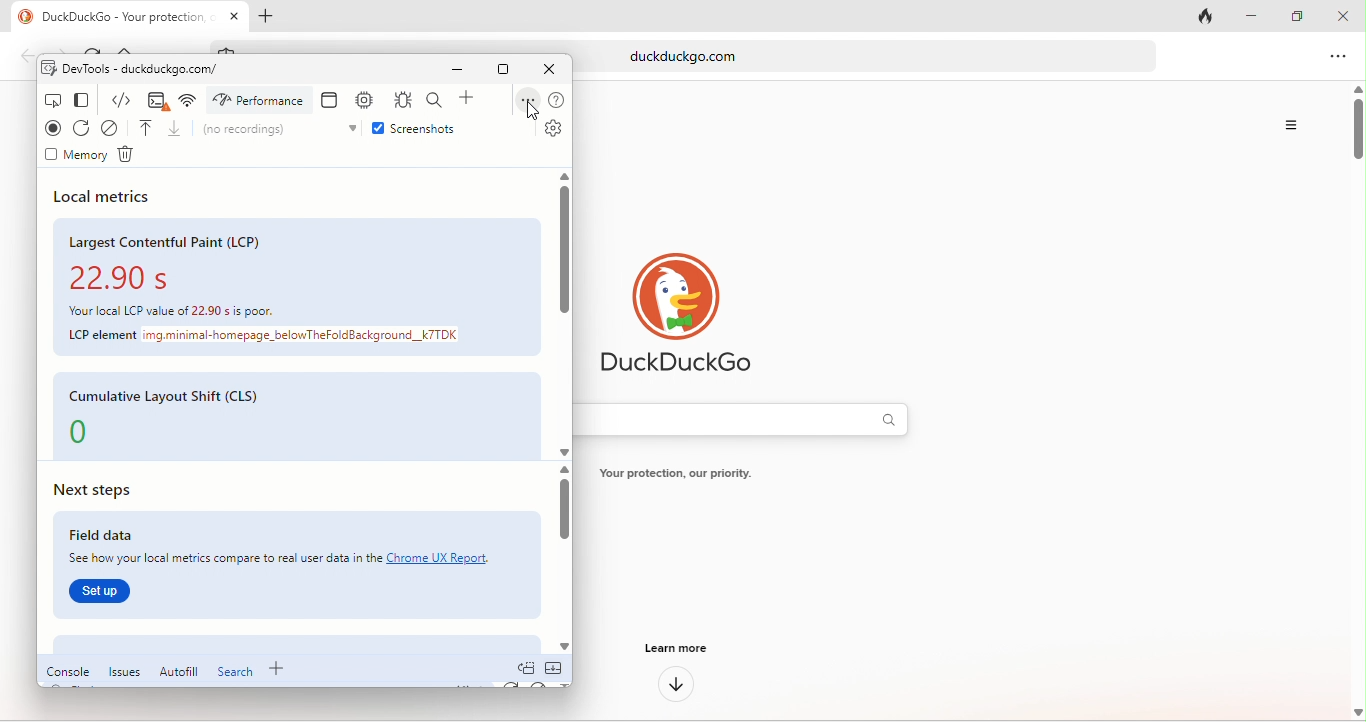  I want to click on help, so click(556, 100).